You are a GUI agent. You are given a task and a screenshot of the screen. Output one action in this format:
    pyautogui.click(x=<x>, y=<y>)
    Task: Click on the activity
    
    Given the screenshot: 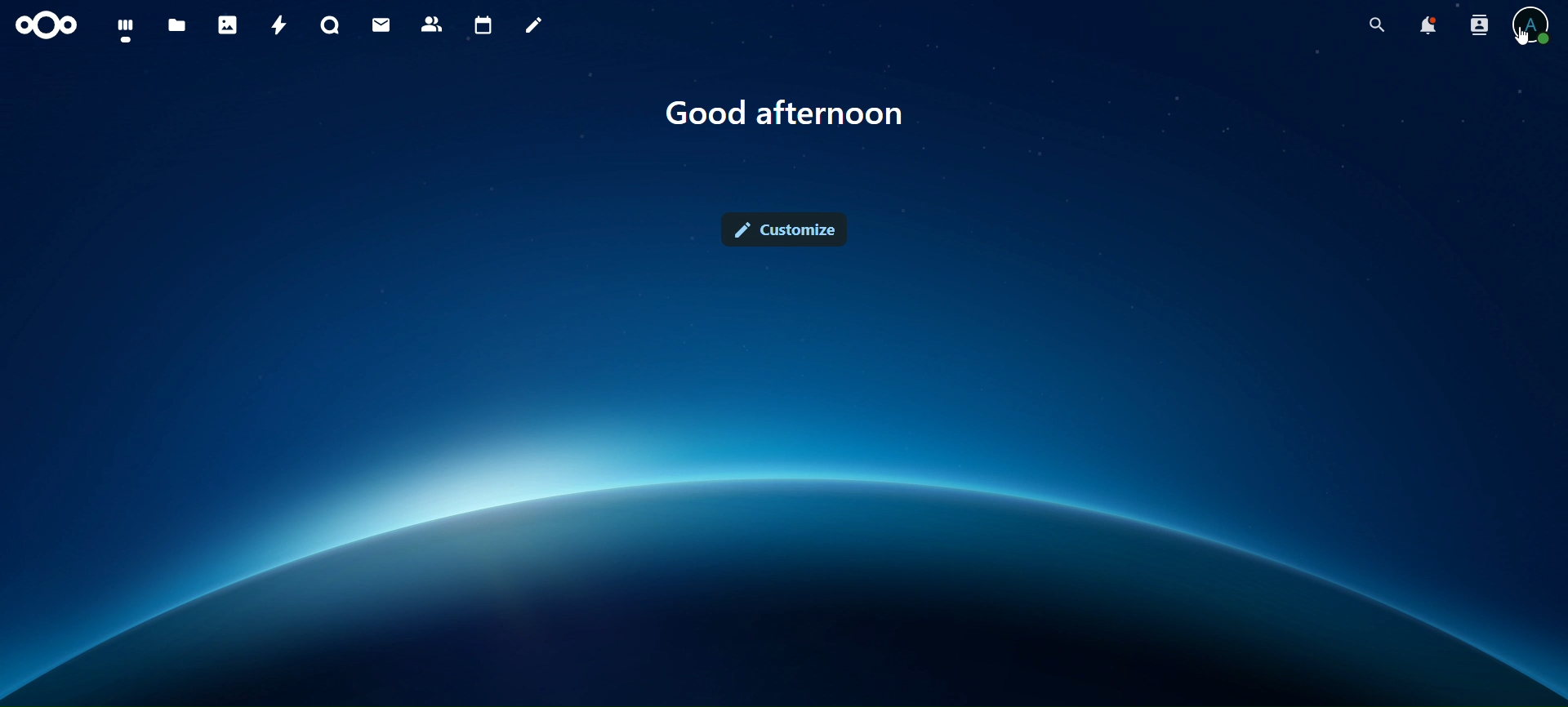 What is the action you would take?
    pyautogui.click(x=278, y=24)
    